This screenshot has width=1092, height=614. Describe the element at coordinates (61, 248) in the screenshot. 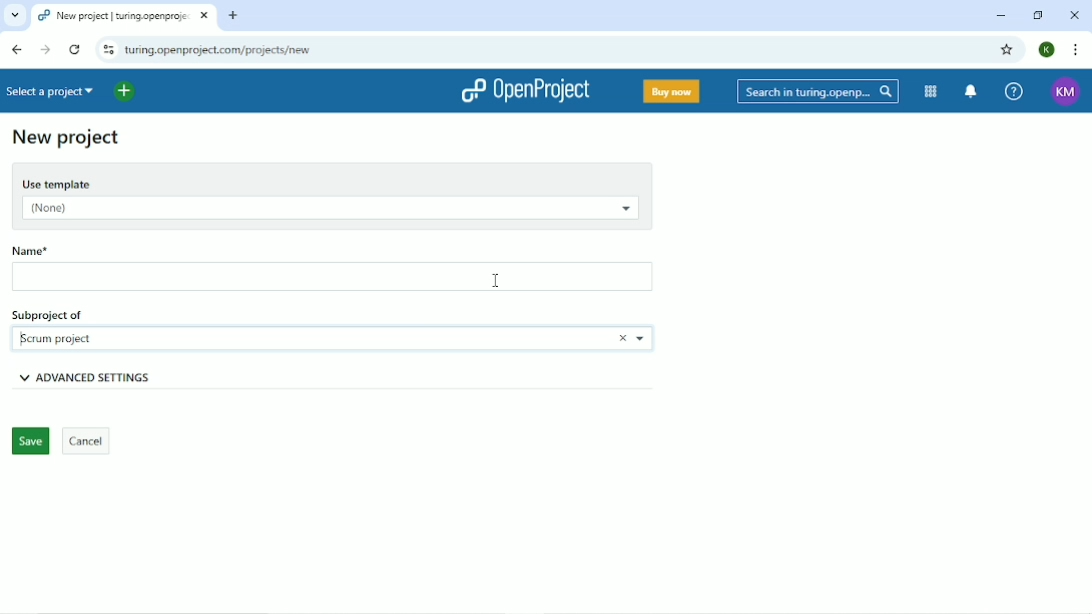

I see `Name*` at that location.